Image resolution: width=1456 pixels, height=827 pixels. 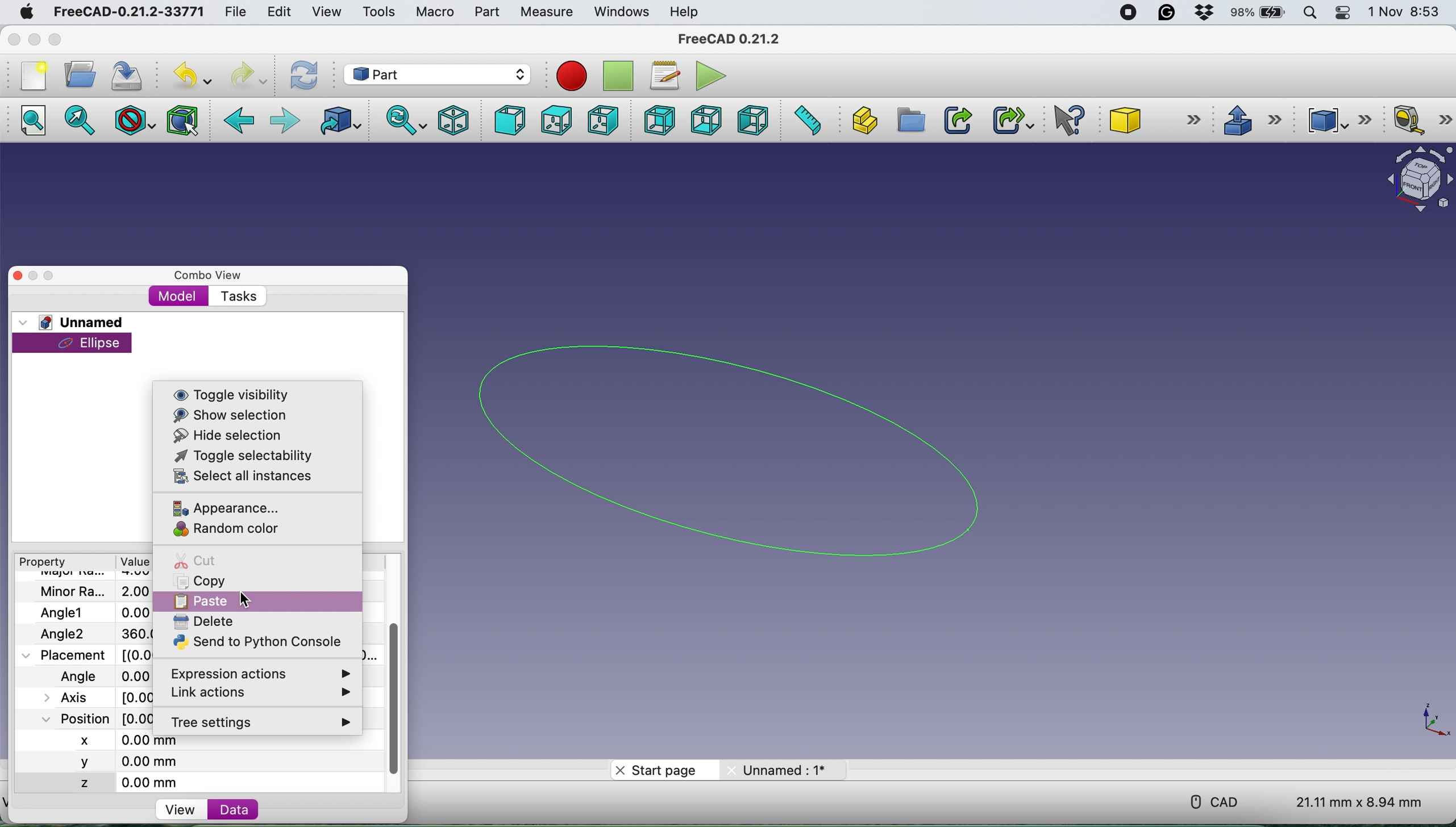 I want to click on spotlight search, so click(x=1311, y=14).